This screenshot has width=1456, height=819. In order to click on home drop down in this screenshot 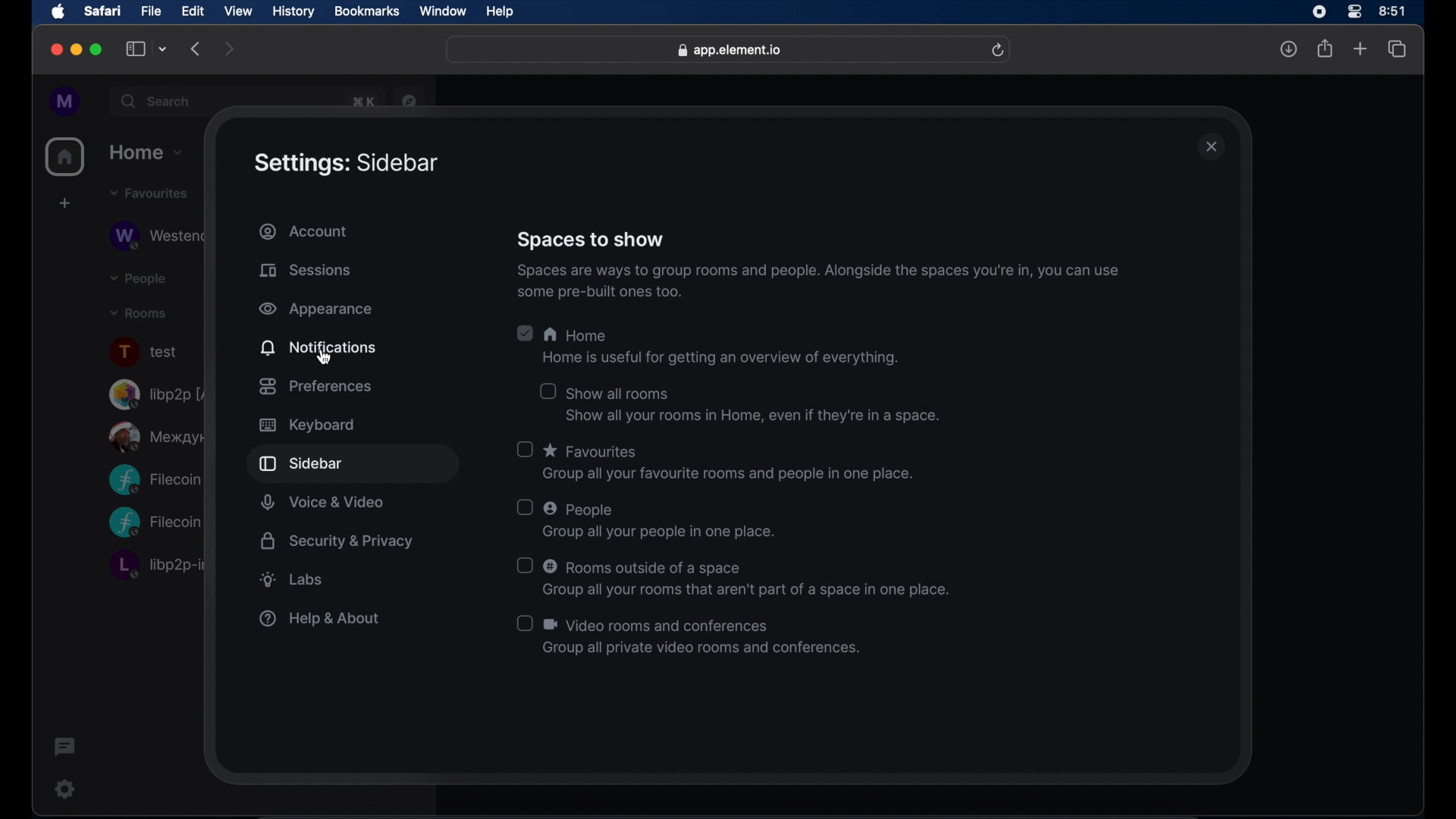, I will do `click(146, 152)`.